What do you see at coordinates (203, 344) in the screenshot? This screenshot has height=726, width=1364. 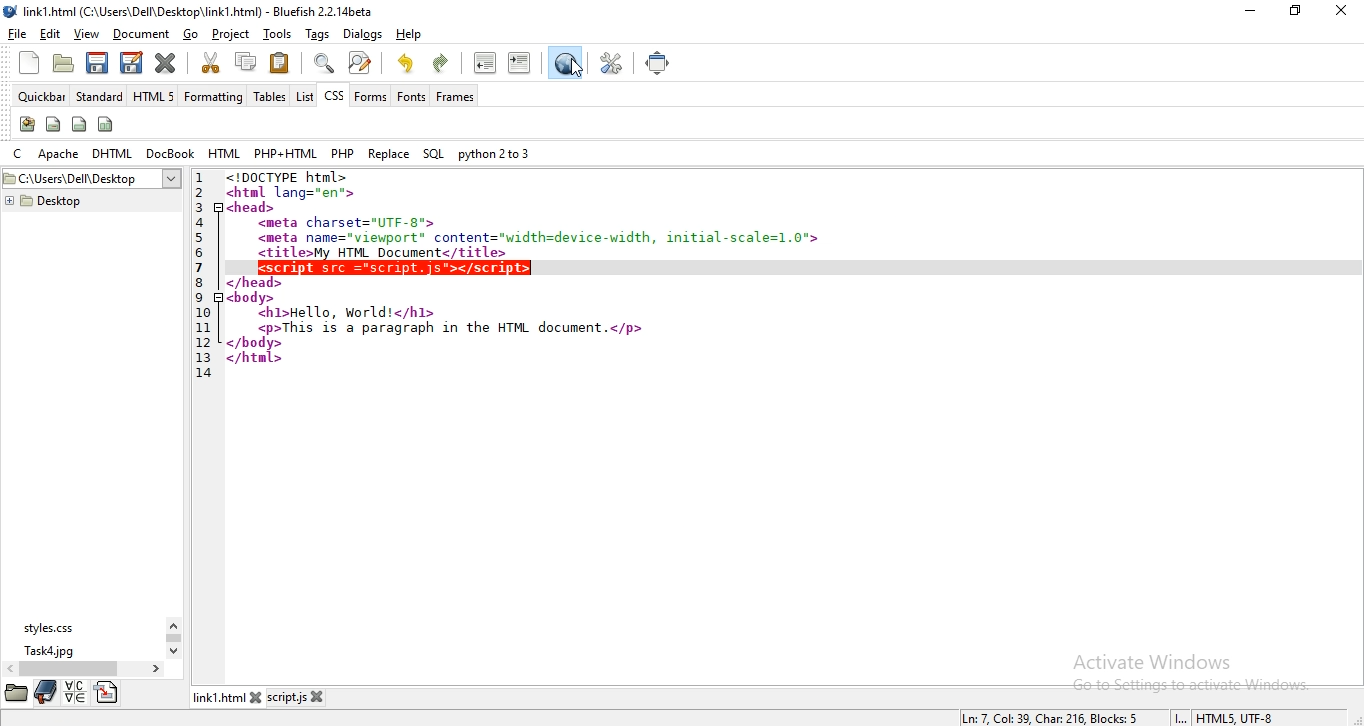 I see `12` at bounding box center [203, 344].